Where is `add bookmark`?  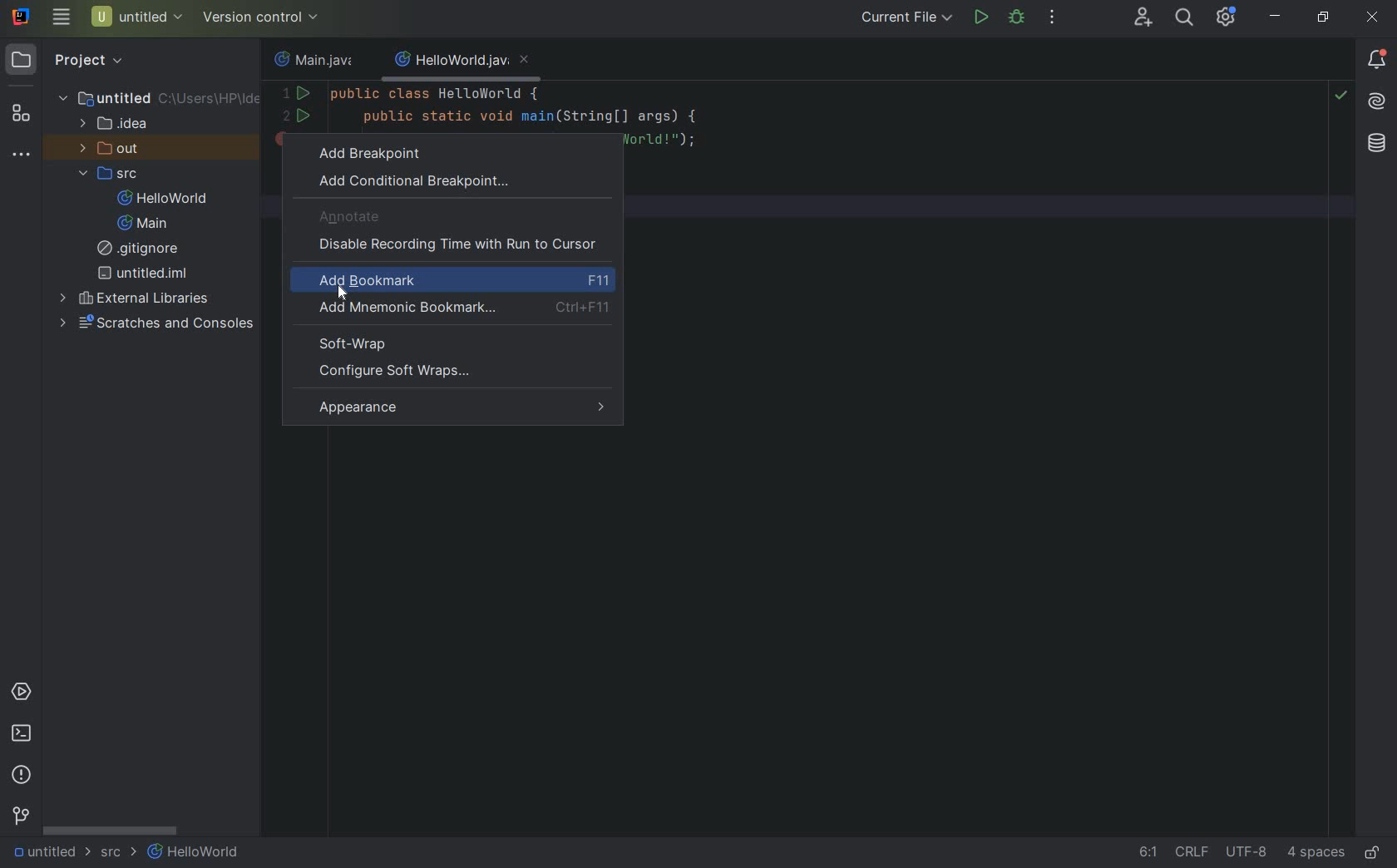
add bookmark is located at coordinates (464, 282).